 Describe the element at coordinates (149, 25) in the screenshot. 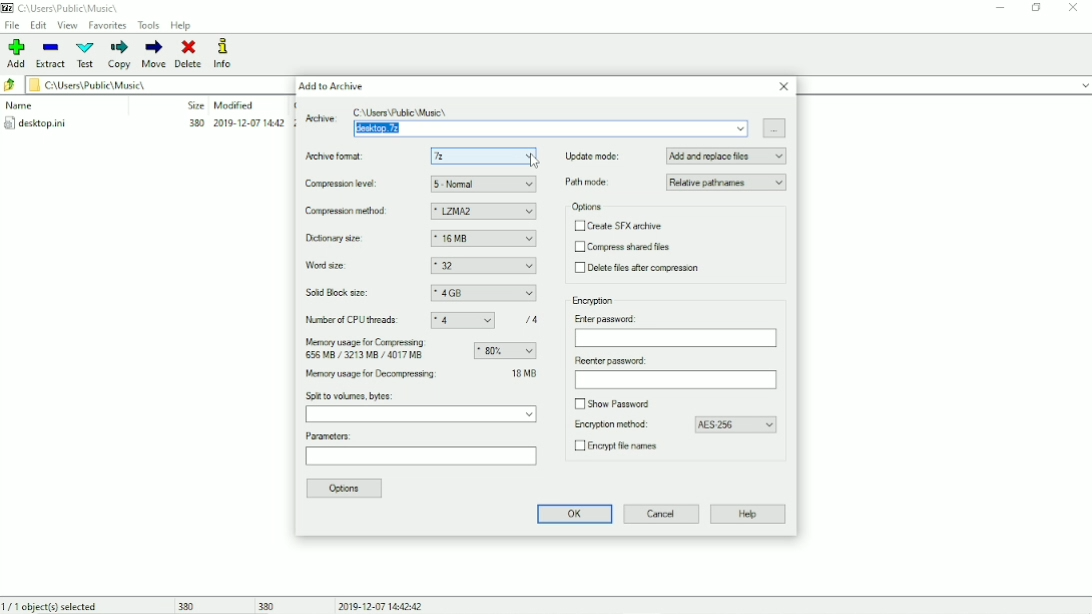

I see `Tools` at that location.